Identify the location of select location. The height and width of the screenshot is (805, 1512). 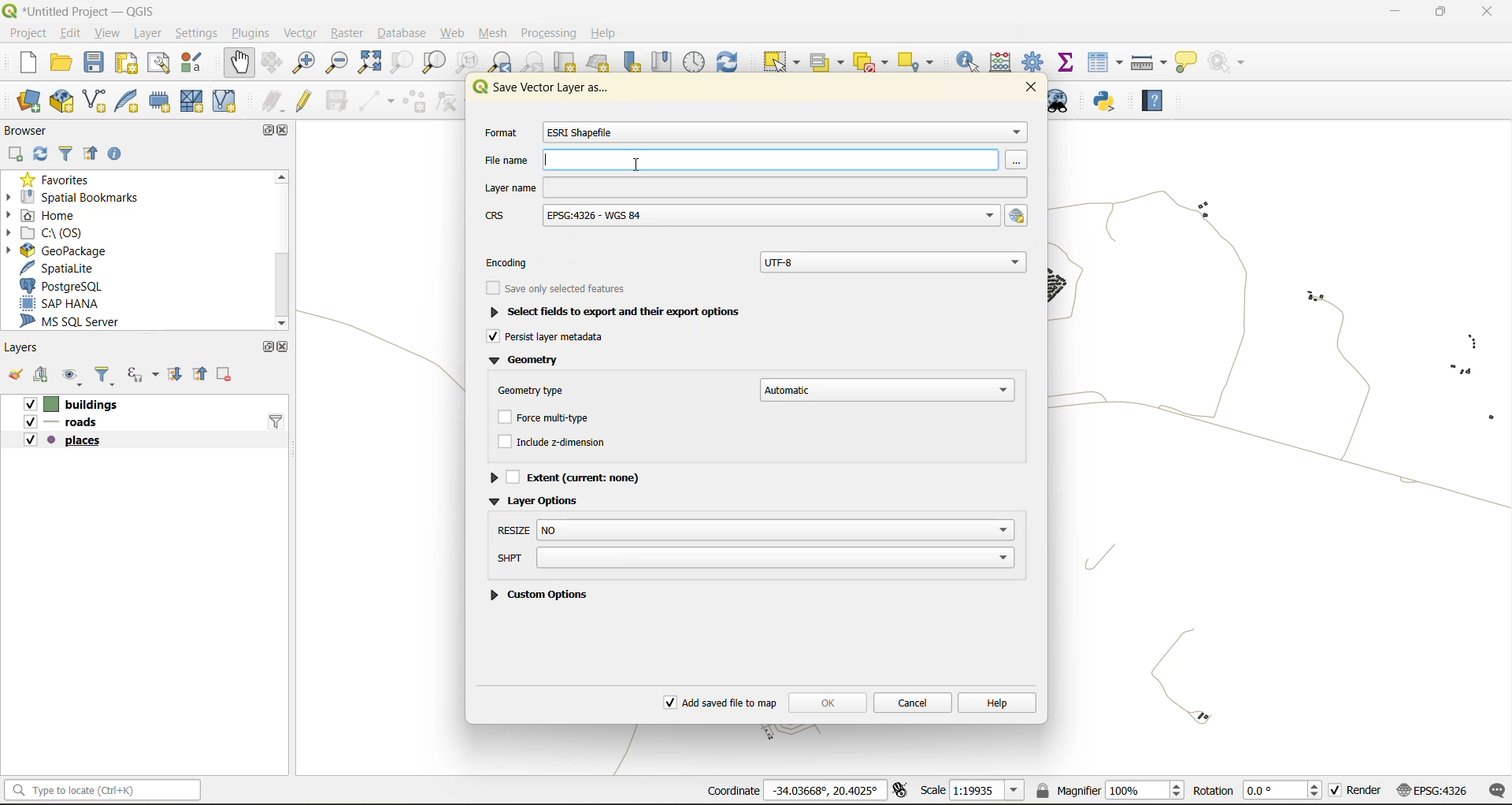
(917, 61).